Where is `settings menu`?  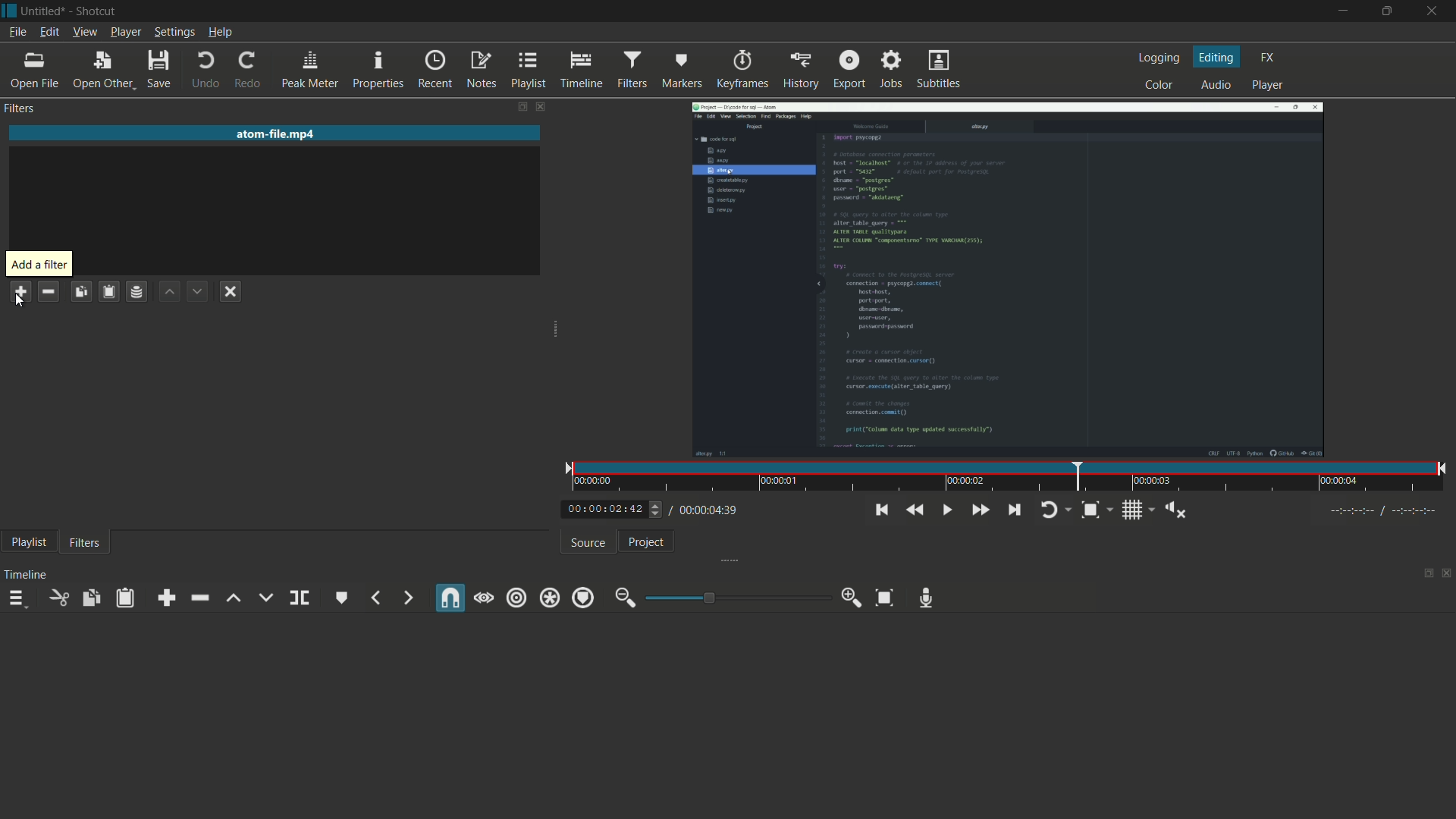 settings menu is located at coordinates (174, 33).